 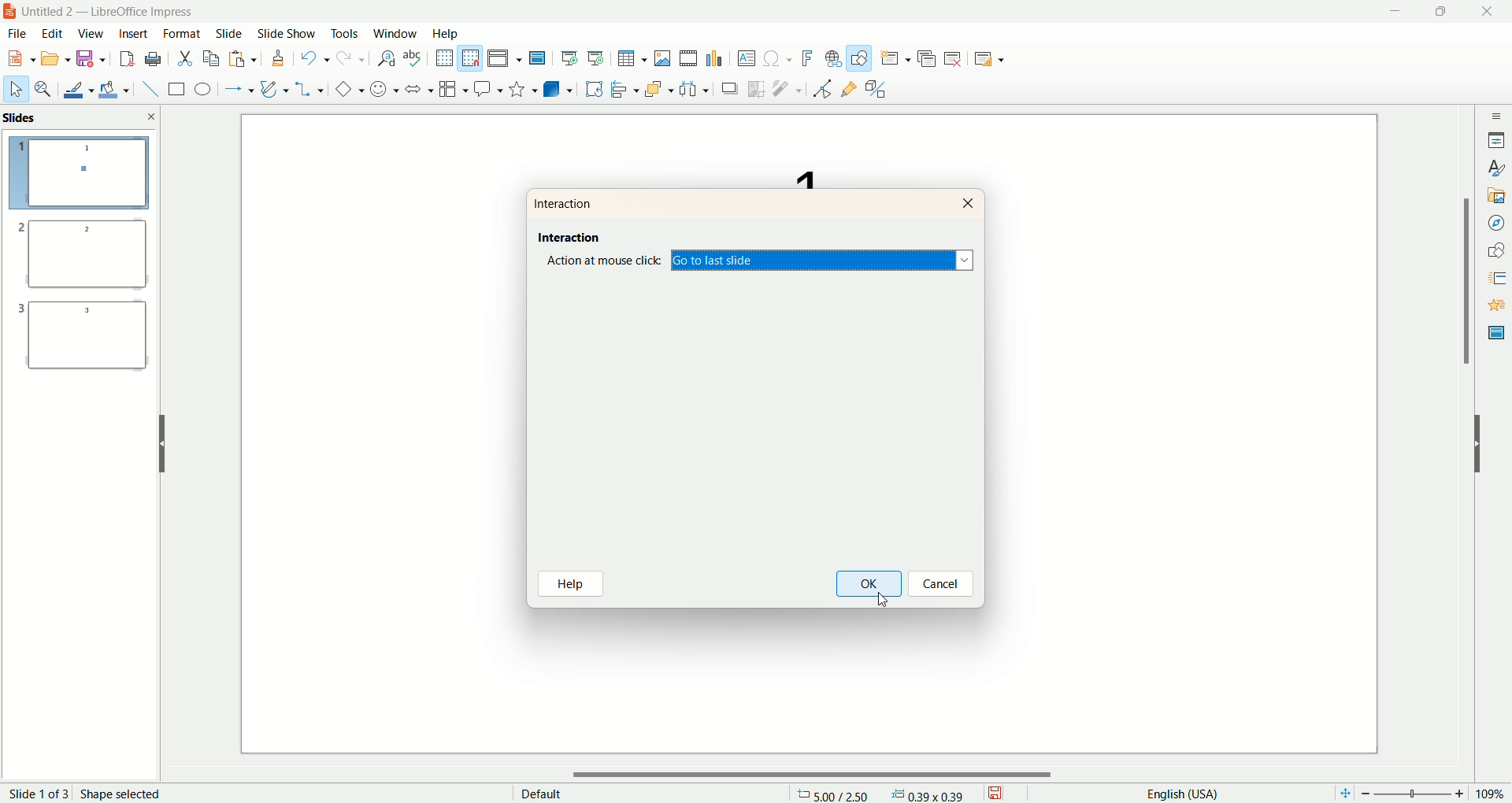 What do you see at coordinates (1340, 794) in the screenshot?
I see `fit page to current window` at bounding box center [1340, 794].